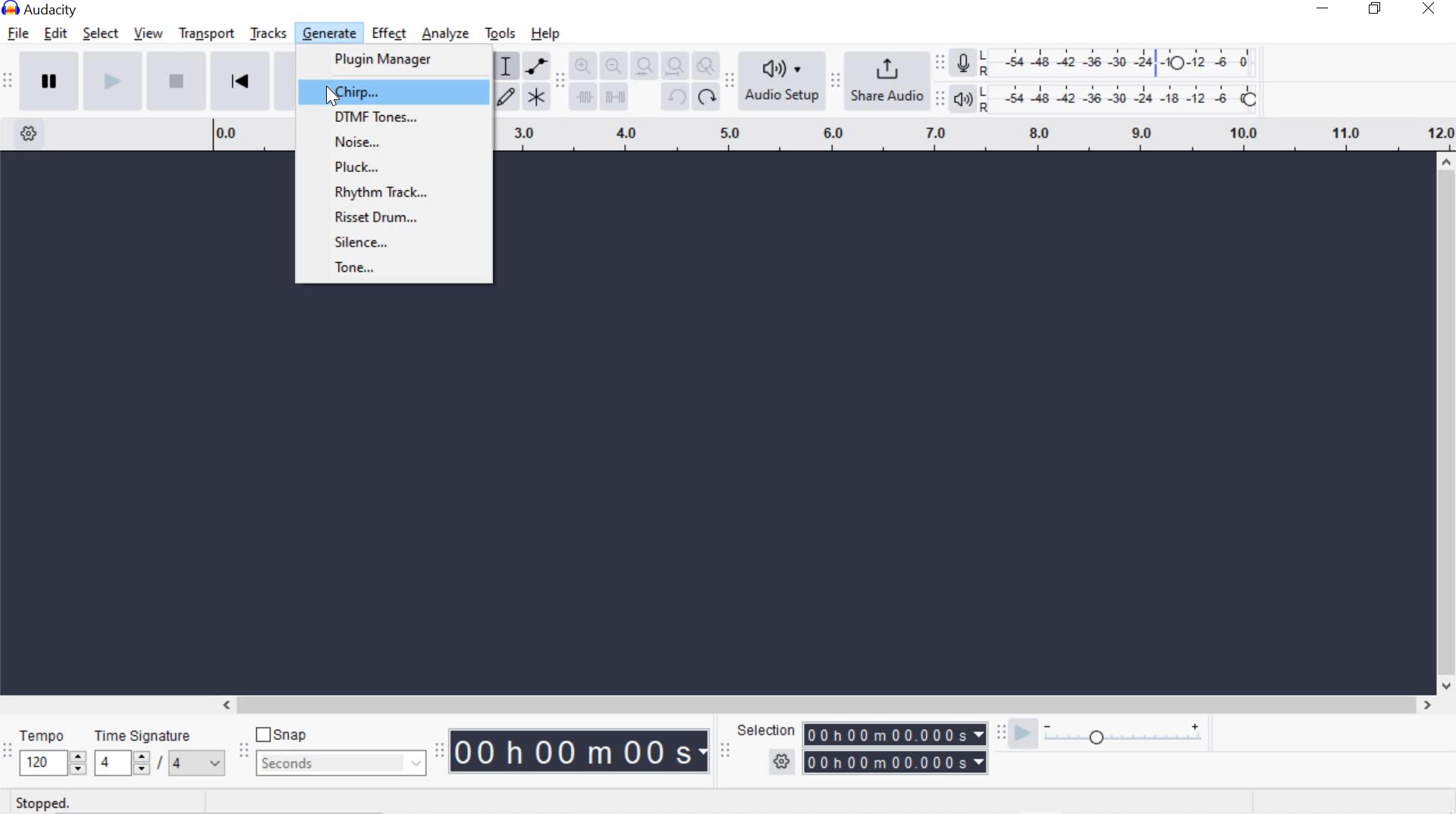 This screenshot has height=814, width=1456. I want to click on view, so click(149, 33).